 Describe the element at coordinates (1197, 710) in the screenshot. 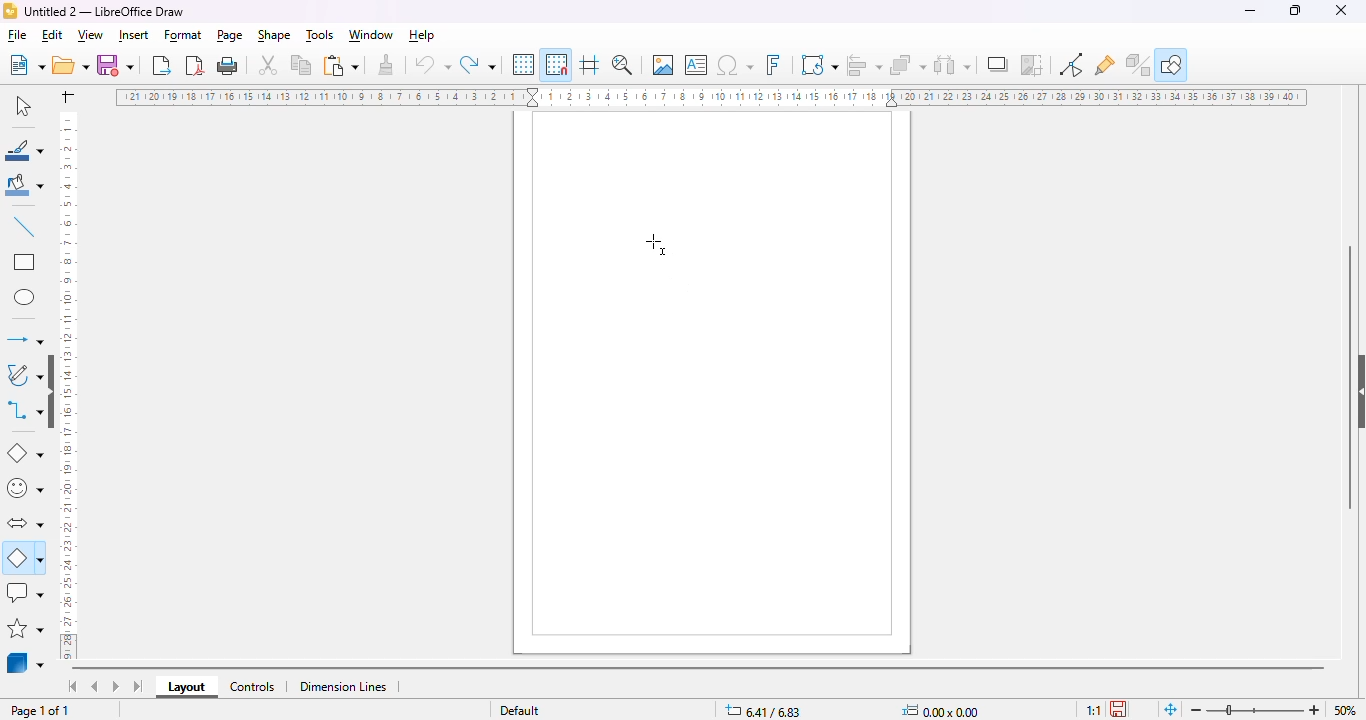

I see `zoom out` at that location.